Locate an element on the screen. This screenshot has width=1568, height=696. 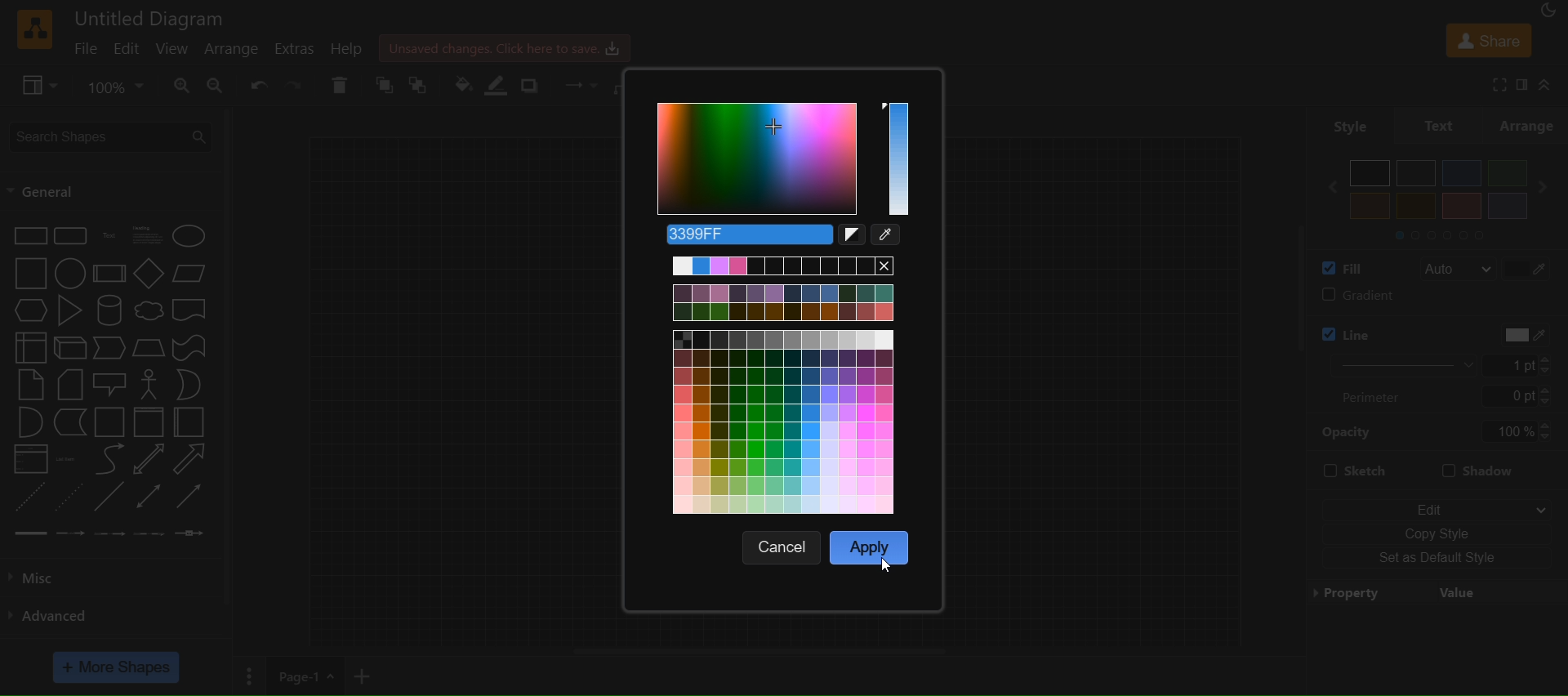
horizontal container is located at coordinates (189, 422).